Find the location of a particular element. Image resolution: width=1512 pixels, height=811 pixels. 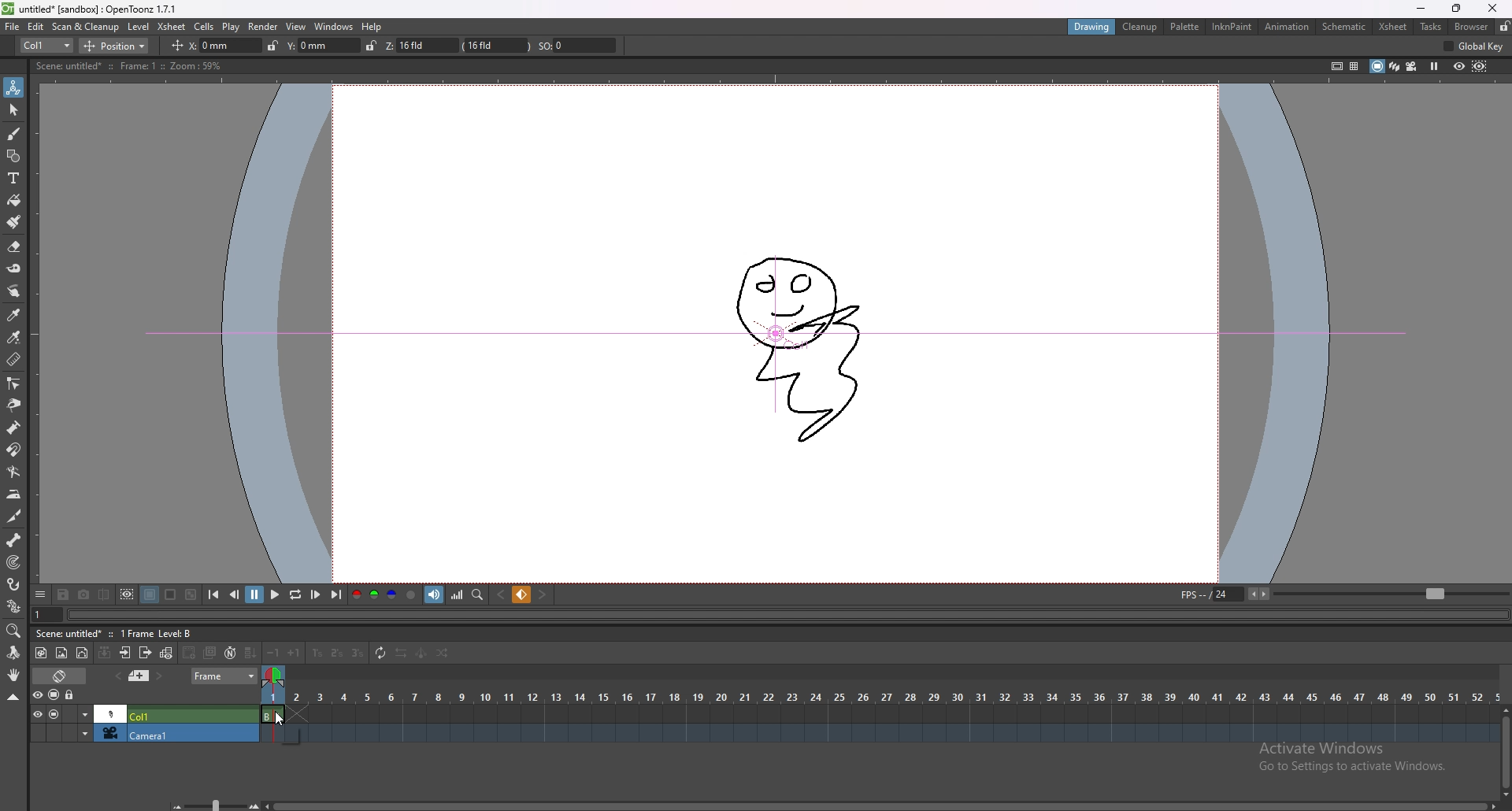

pump is located at coordinates (13, 428).